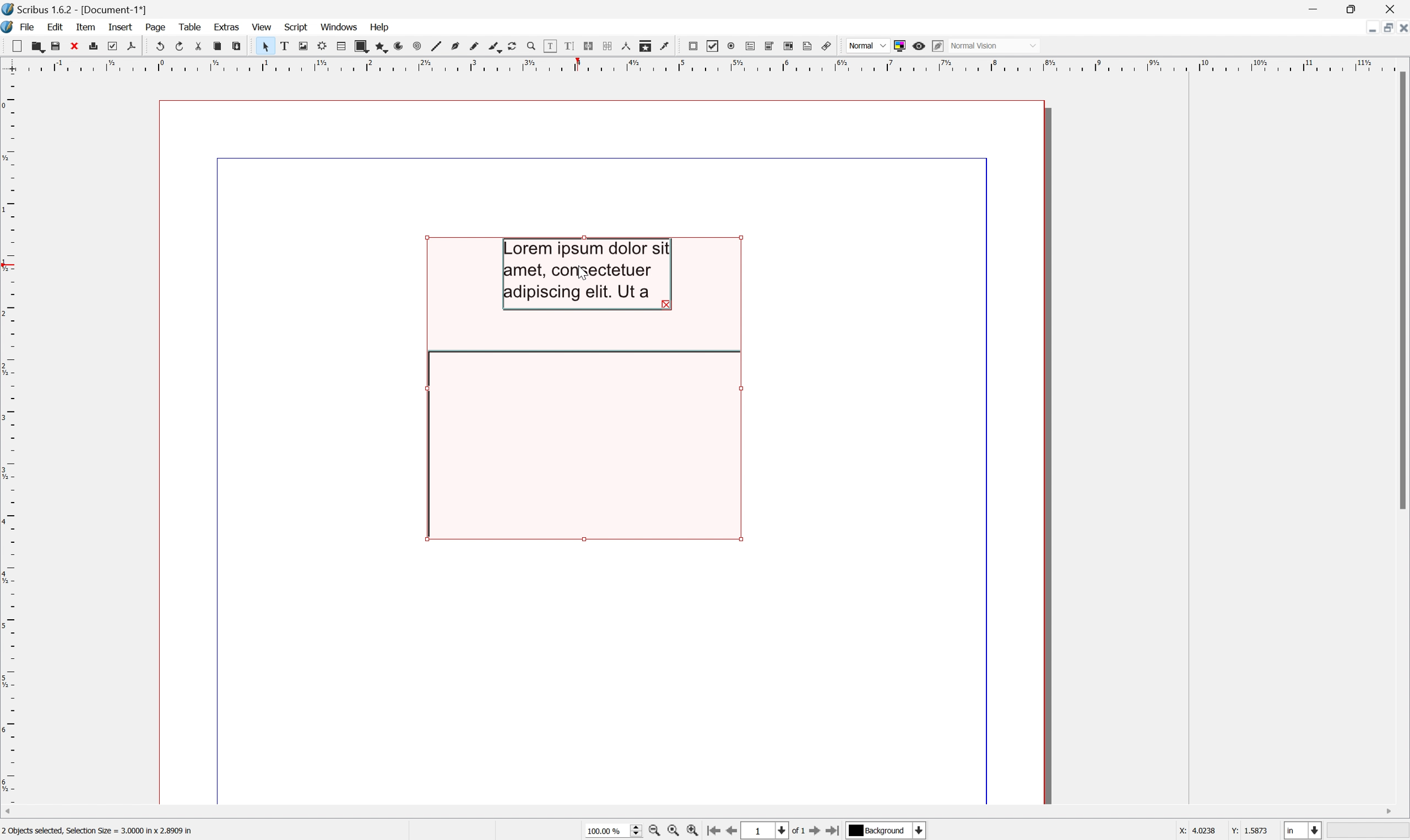  I want to click on PDF radio button, so click(730, 46).